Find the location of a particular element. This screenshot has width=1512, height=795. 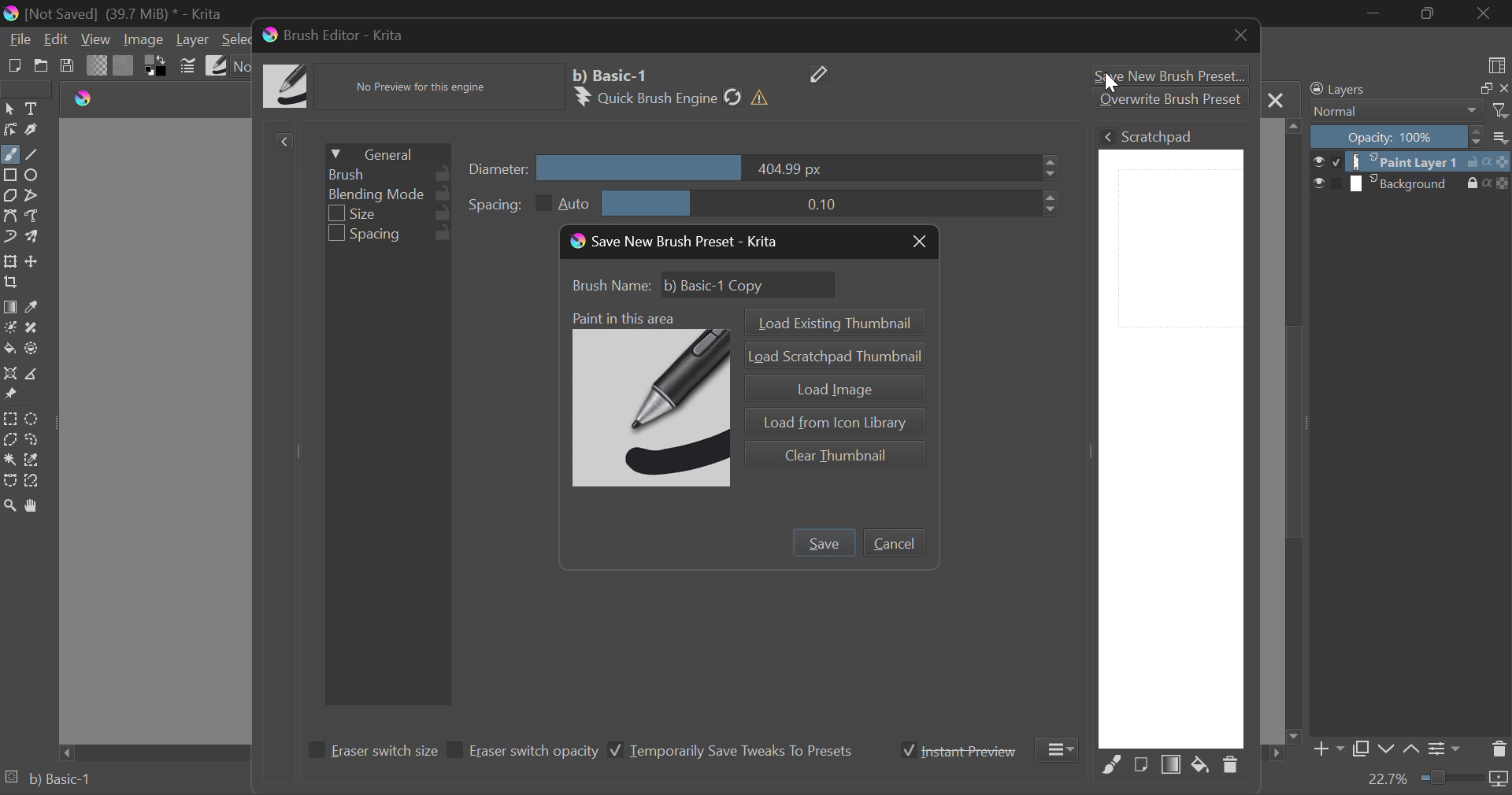

Fill Area with Selected Brush Preset is located at coordinates (1112, 765).